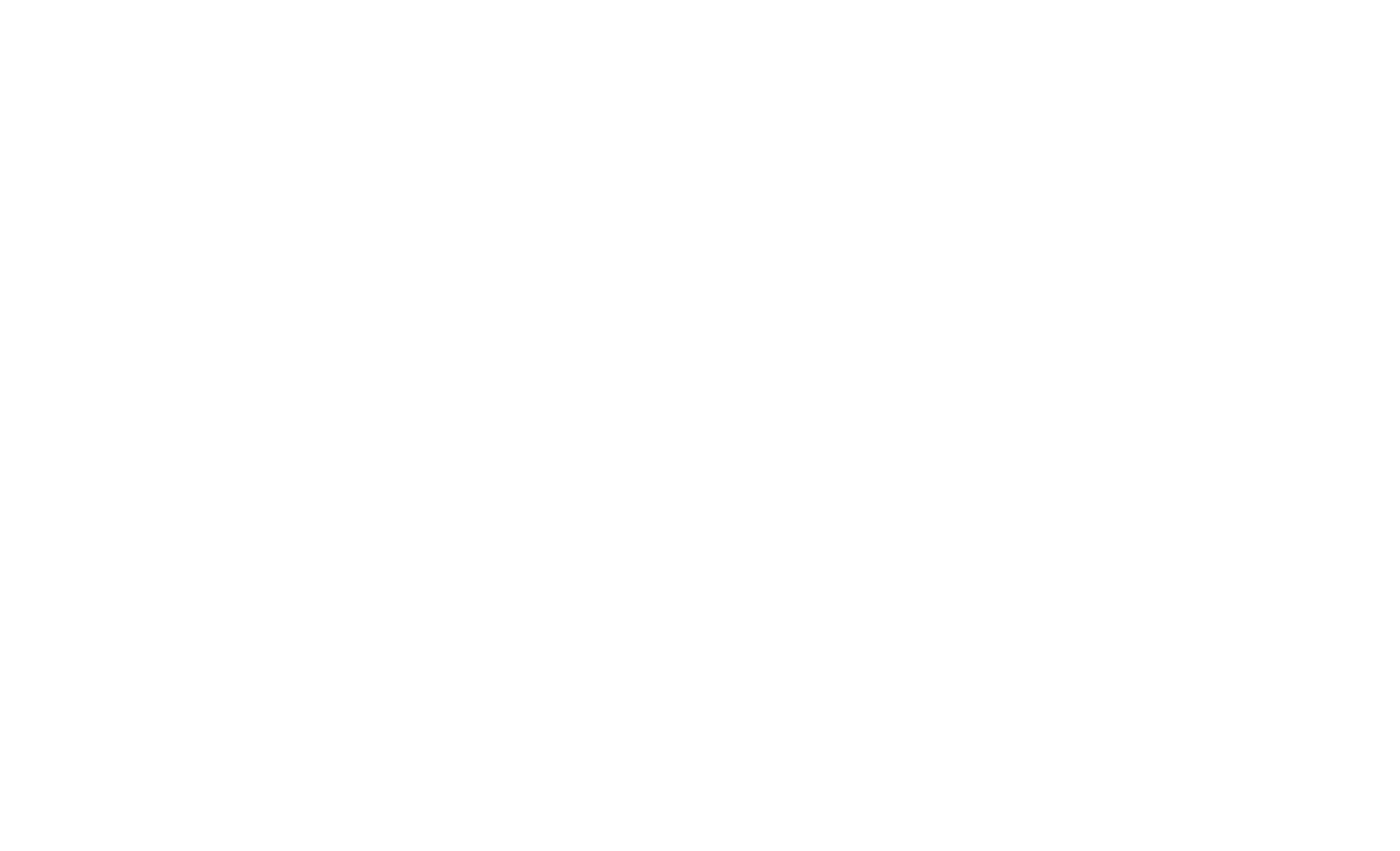 The image size is (1400, 851). I want to click on Locked, so click(523, 593).